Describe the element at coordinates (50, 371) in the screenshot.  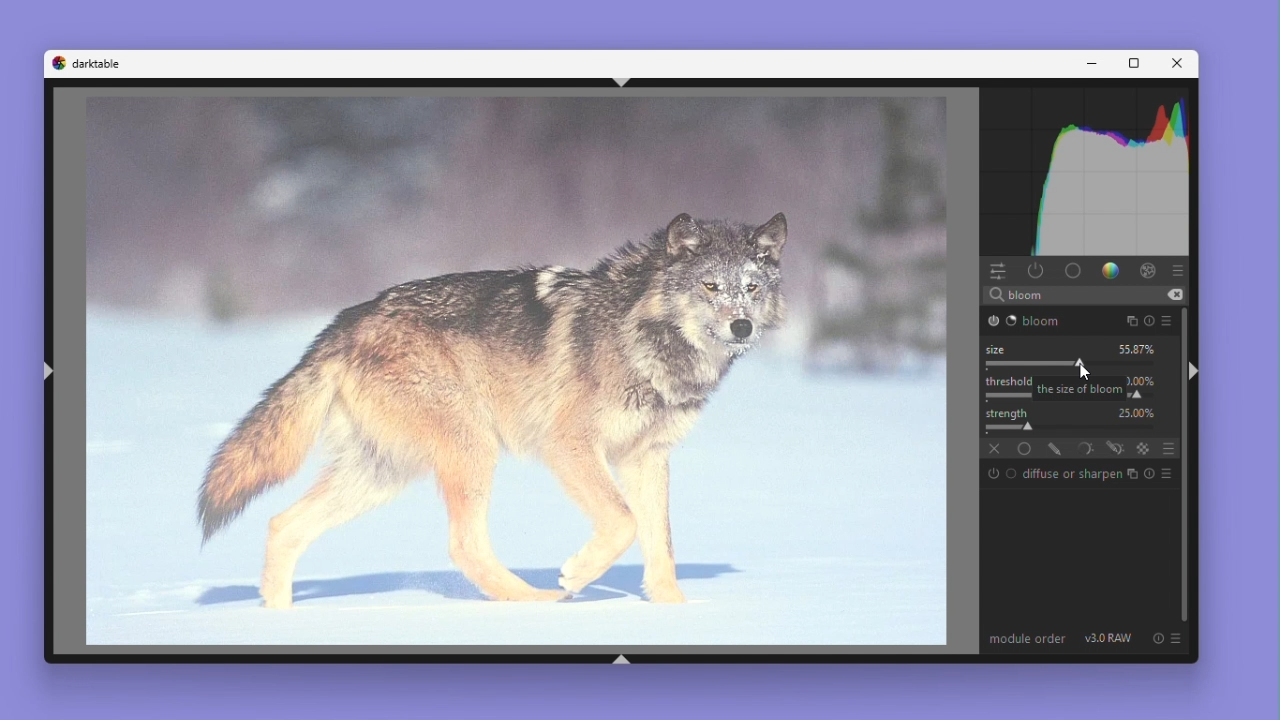
I see `shift+ctrl+l` at that location.